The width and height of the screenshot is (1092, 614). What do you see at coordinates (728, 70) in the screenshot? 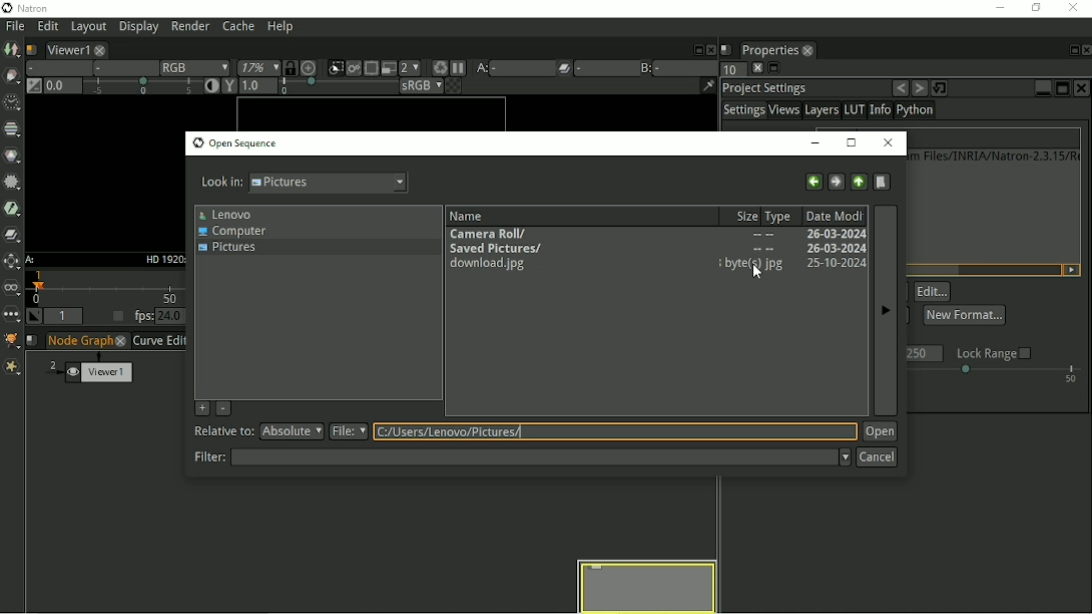
I see `Maximum number of panels` at bounding box center [728, 70].